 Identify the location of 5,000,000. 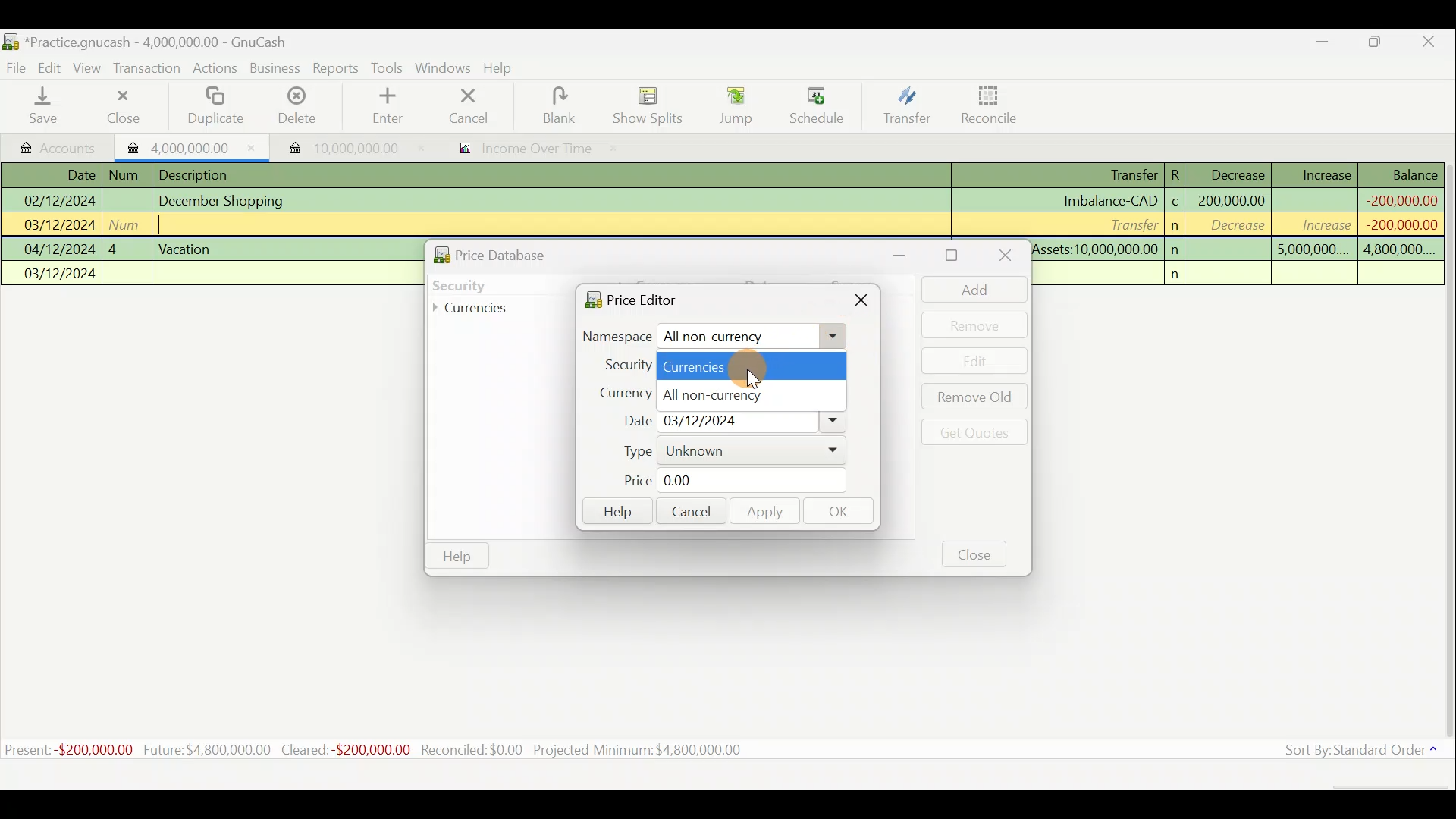
(1313, 252).